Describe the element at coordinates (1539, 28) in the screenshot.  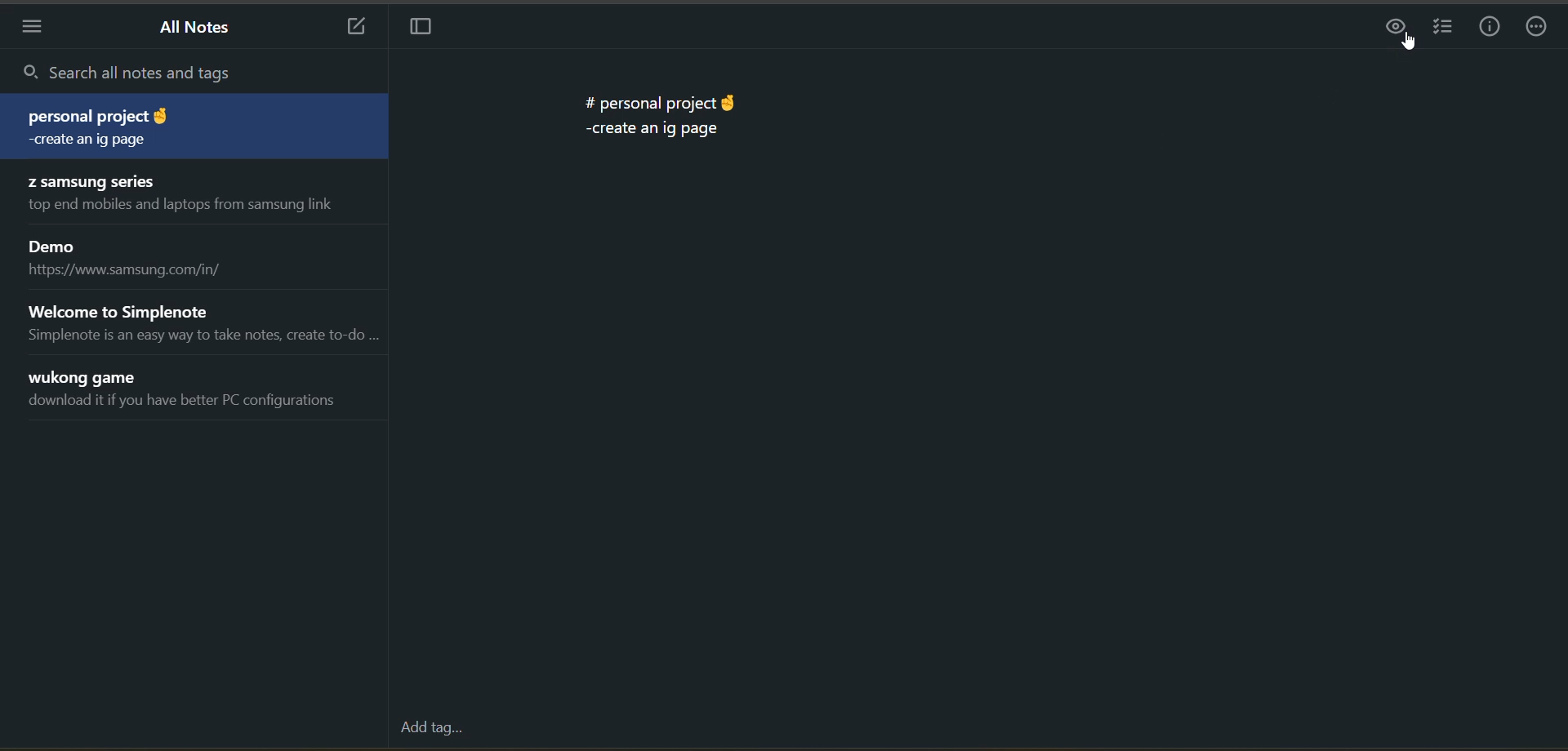
I see `actions` at that location.